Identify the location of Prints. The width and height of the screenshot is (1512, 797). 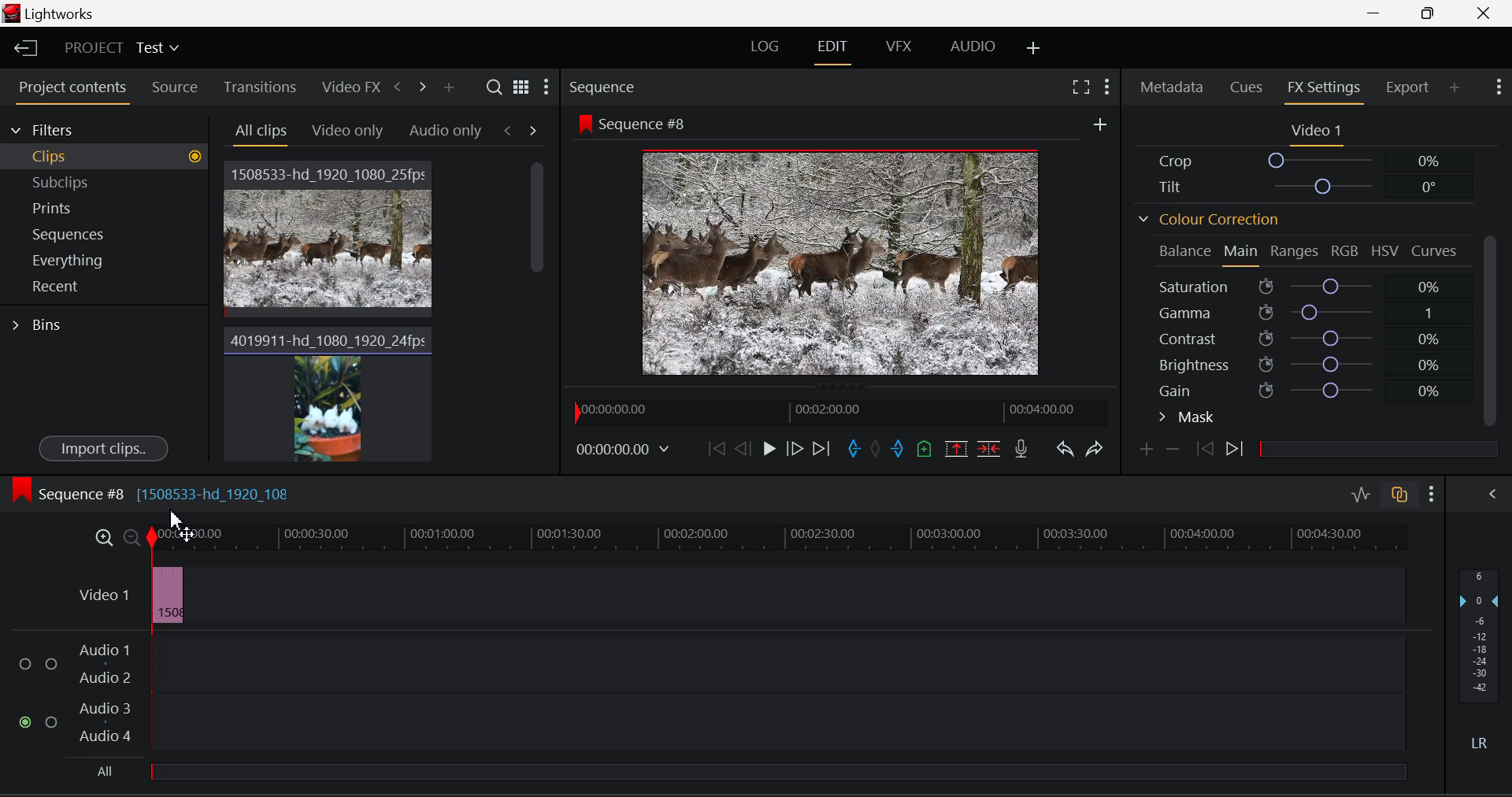
(113, 210).